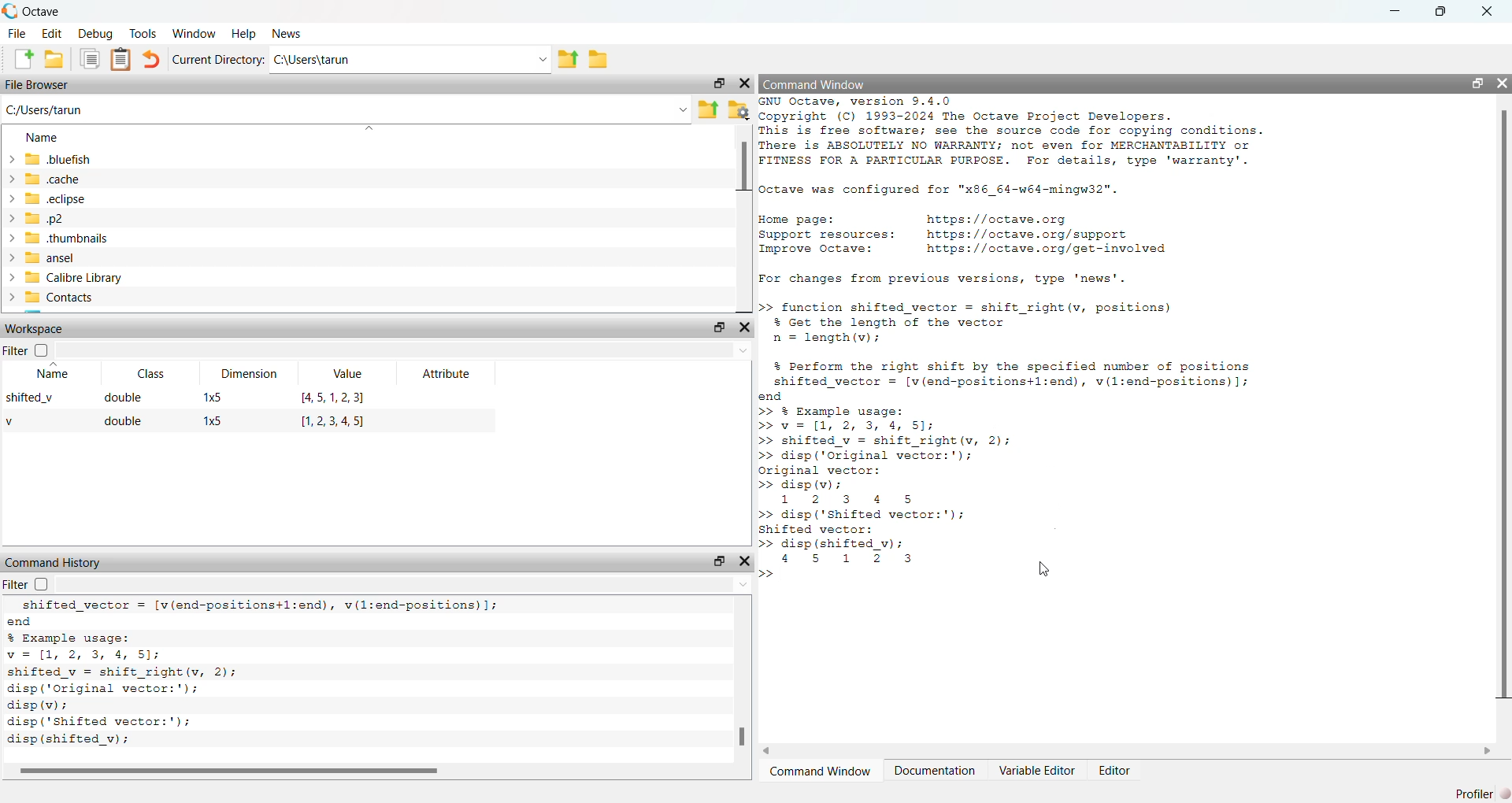  I want to click on attribute, so click(444, 376).